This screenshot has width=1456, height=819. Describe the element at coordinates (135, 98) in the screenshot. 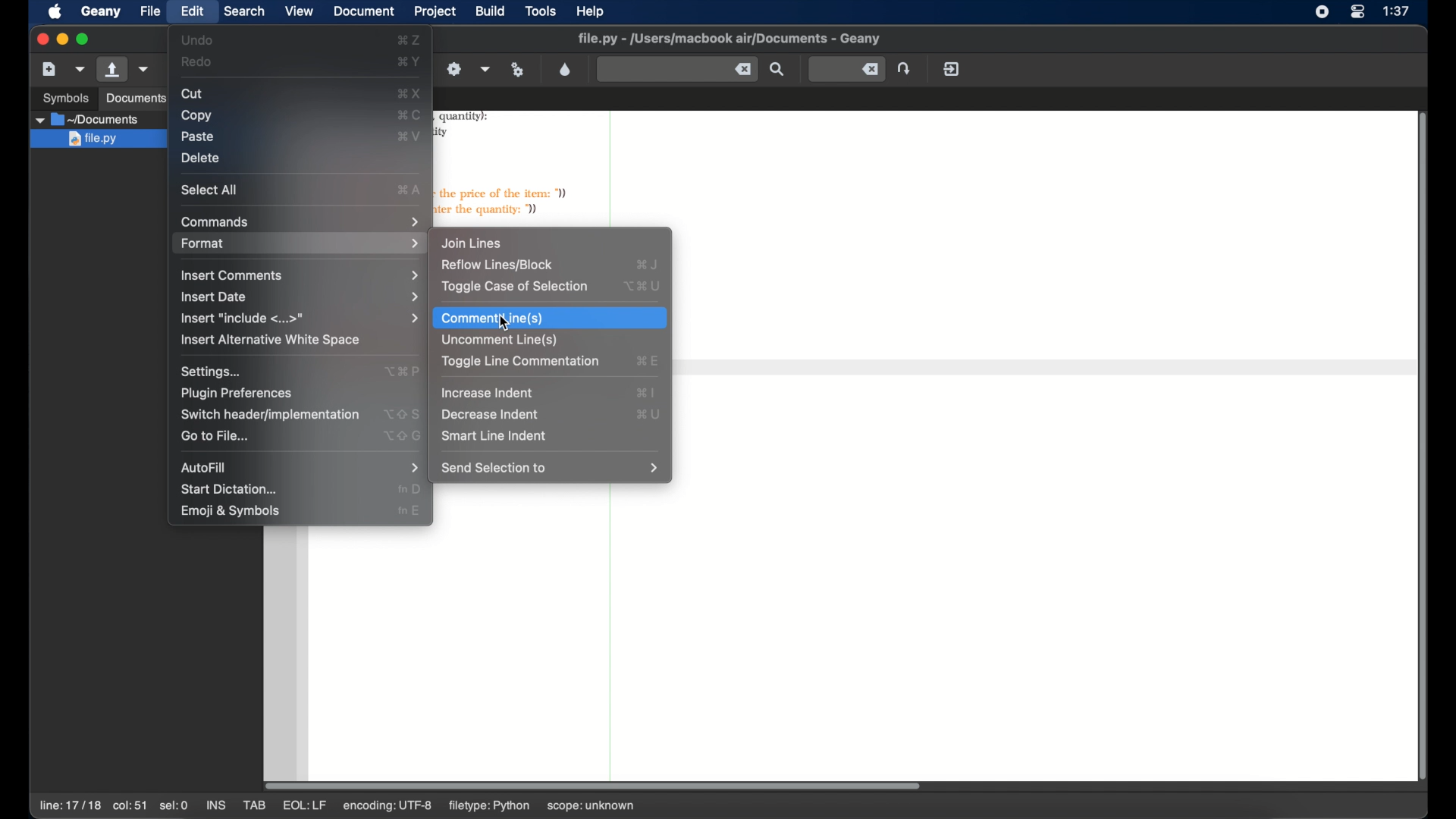

I see `documents` at that location.